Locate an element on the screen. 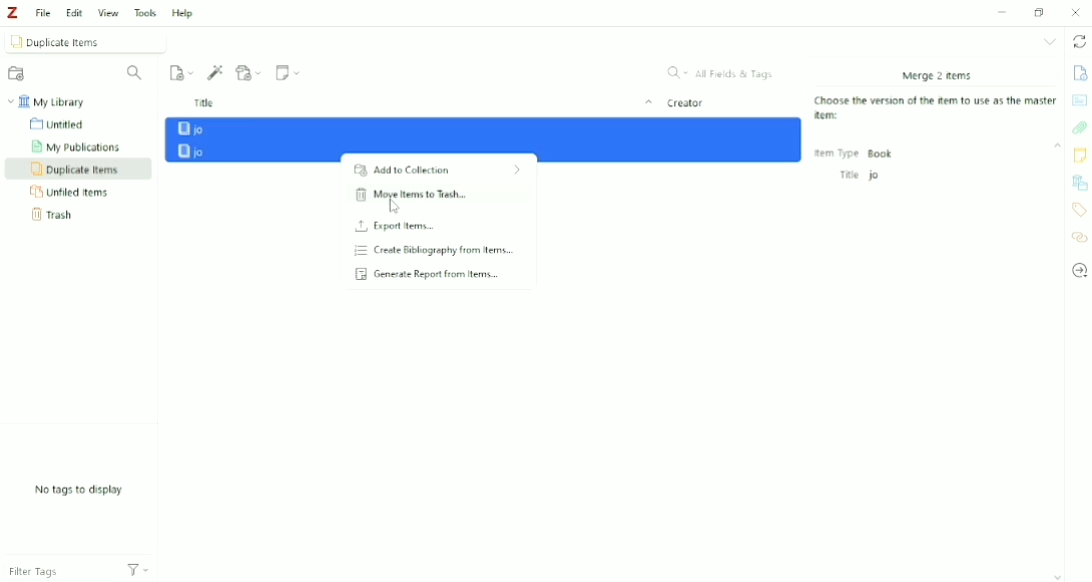 This screenshot has height=582, width=1092. Add Item (s) by Identifier is located at coordinates (216, 73).